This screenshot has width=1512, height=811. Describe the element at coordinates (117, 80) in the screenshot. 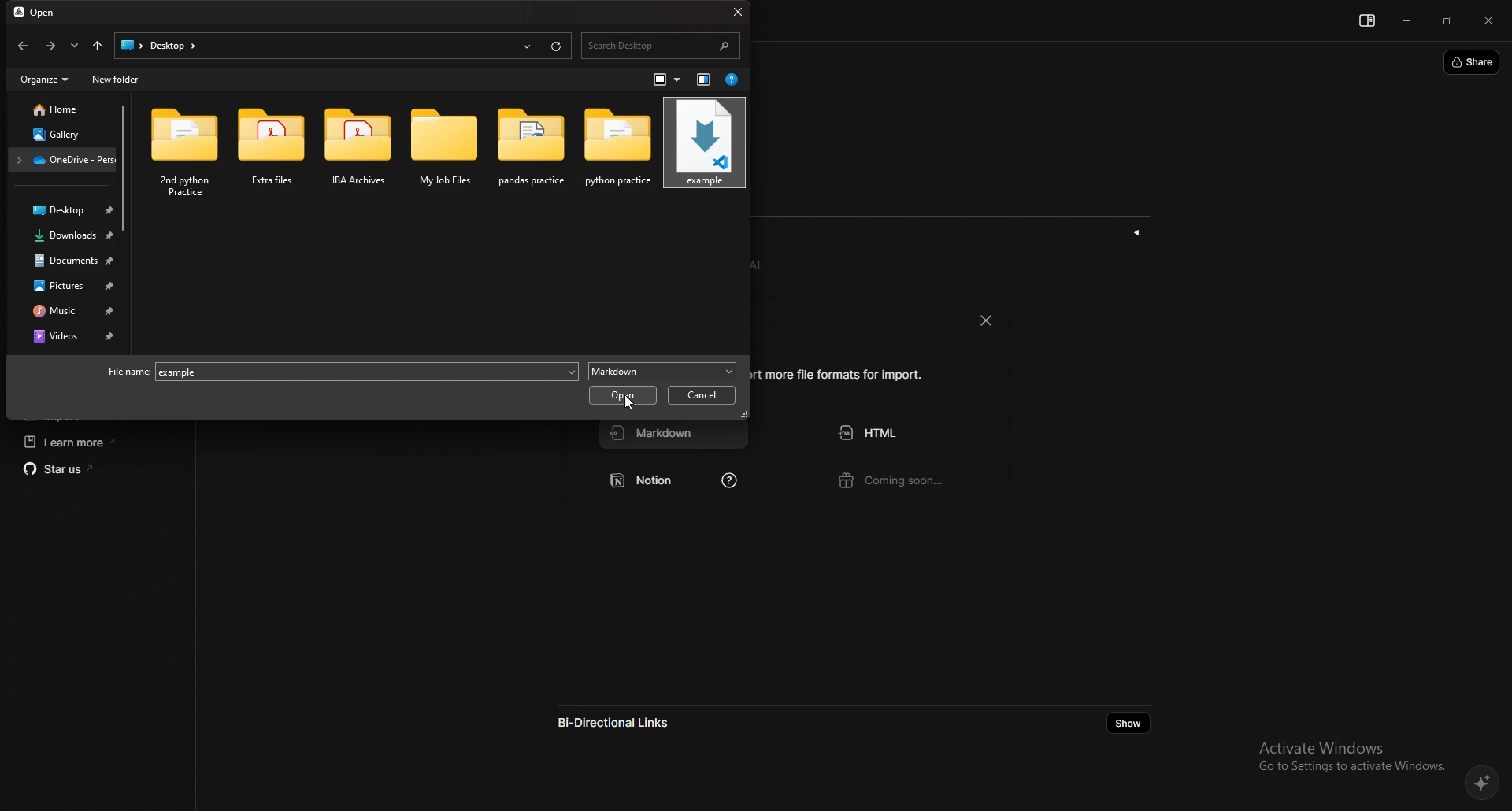

I see `new folder` at that location.